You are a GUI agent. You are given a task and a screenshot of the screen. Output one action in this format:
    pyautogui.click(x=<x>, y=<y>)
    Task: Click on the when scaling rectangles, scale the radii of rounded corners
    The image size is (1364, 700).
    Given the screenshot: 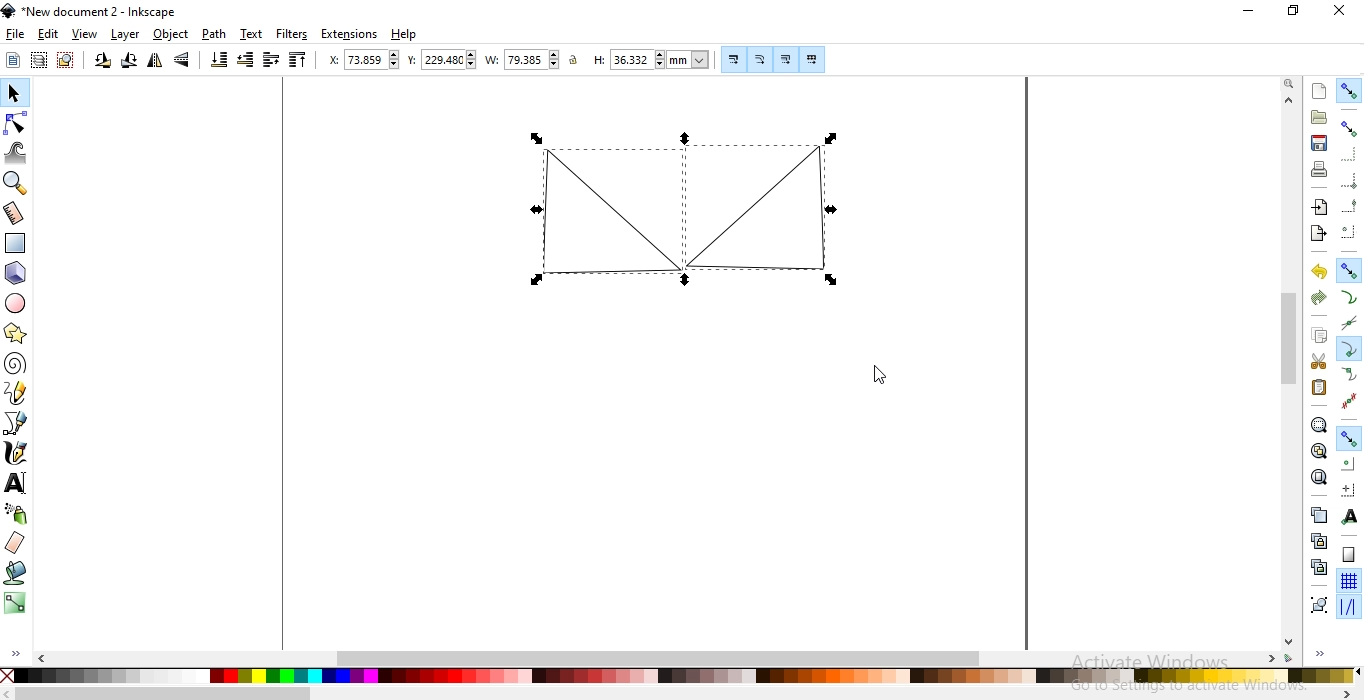 What is the action you would take?
    pyautogui.click(x=760, y=60)
    